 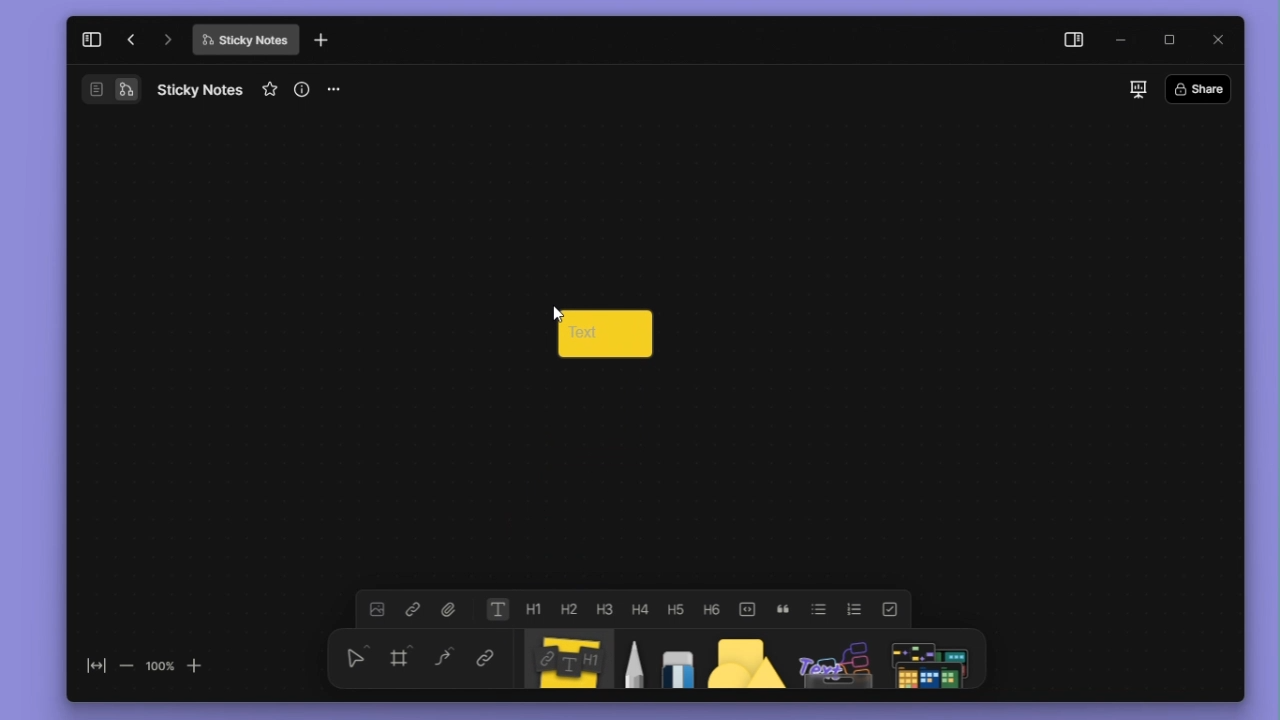 What do you see at coordinates (1198, 89) in the screenshot?
I see `Share ` at bounding box center [1198, 89].